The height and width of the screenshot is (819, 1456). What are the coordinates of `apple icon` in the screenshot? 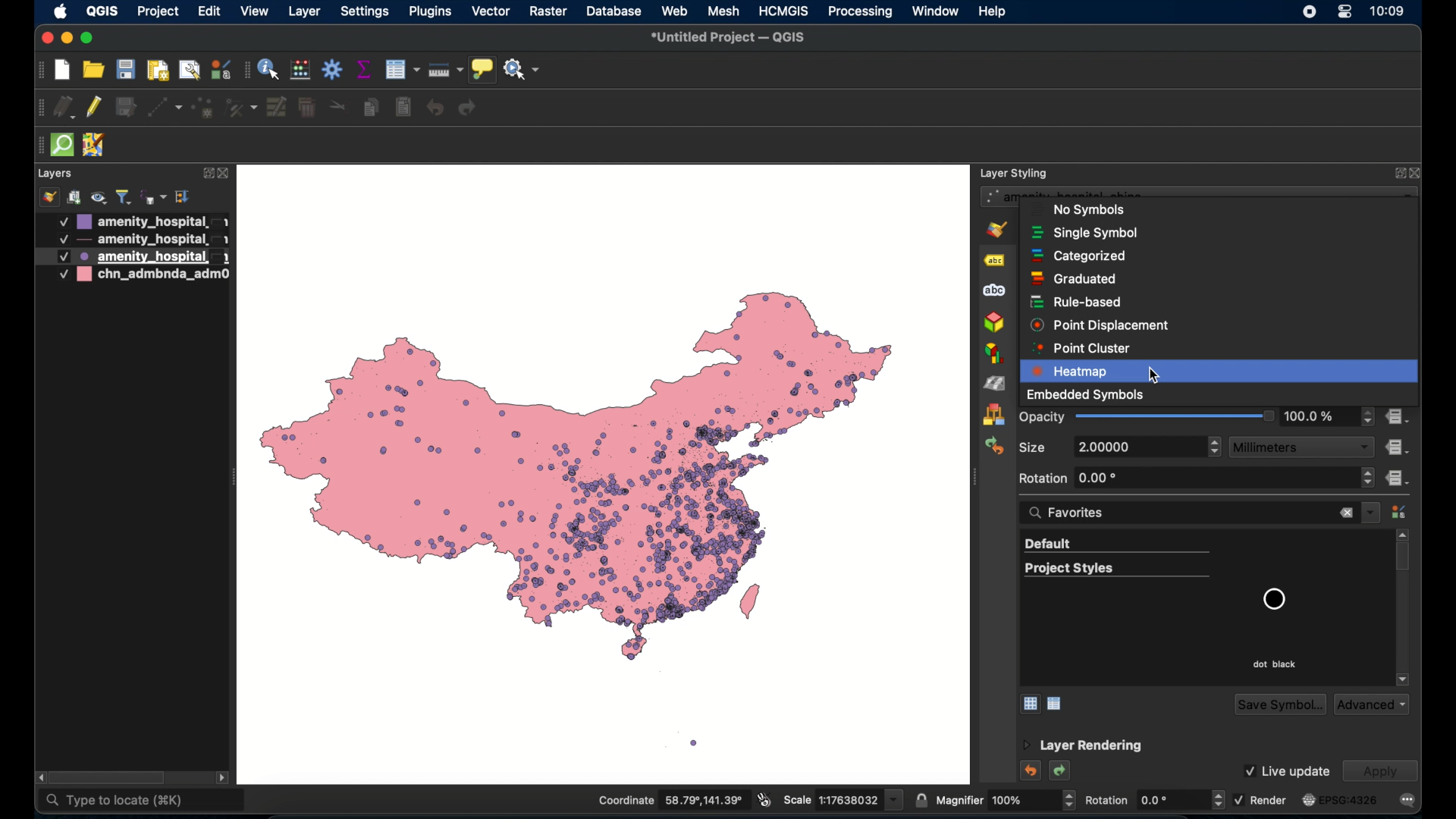 It's located at (61, 13).